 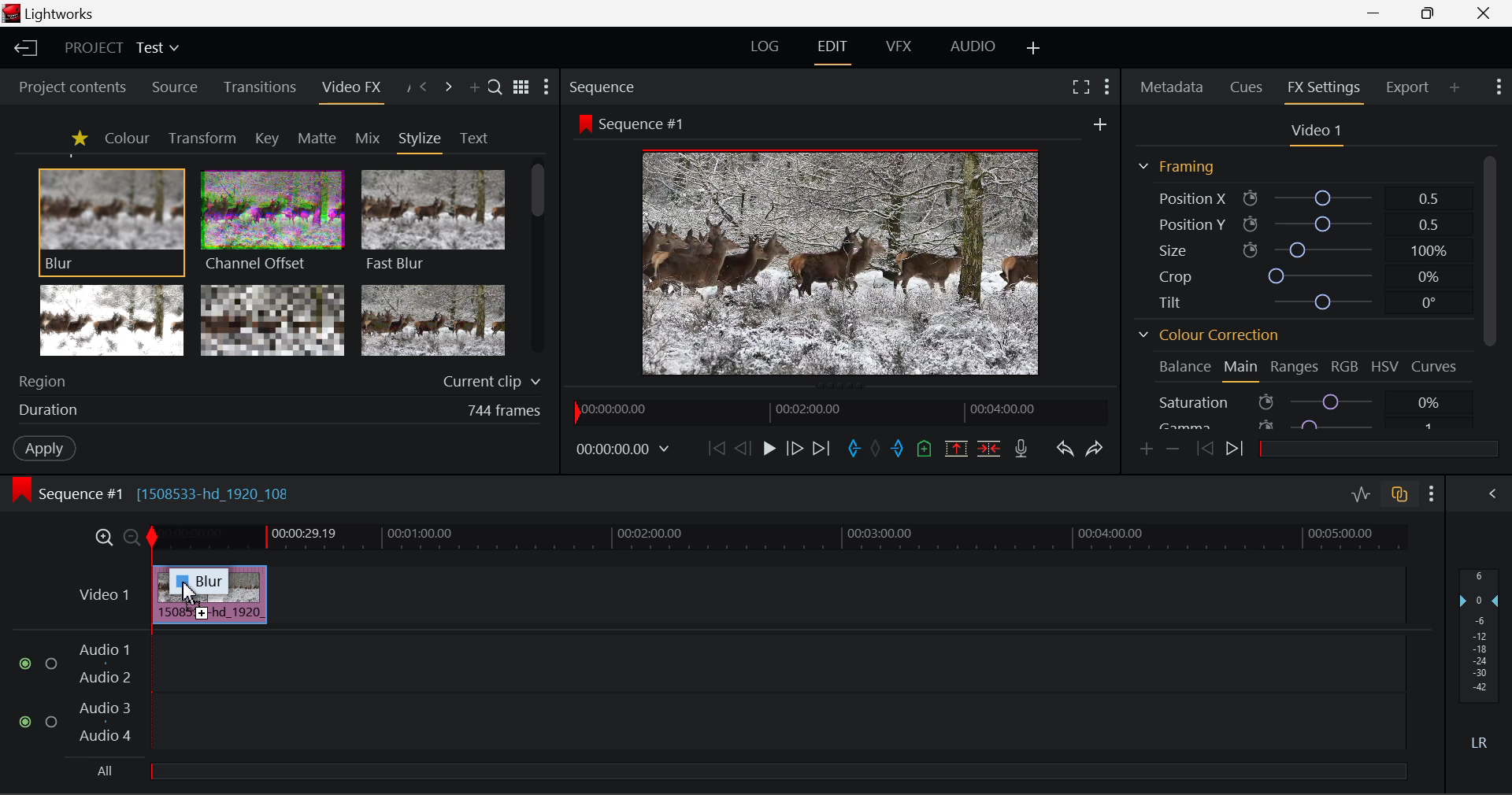 I want to click on Matte, so click(x=317, y=138).